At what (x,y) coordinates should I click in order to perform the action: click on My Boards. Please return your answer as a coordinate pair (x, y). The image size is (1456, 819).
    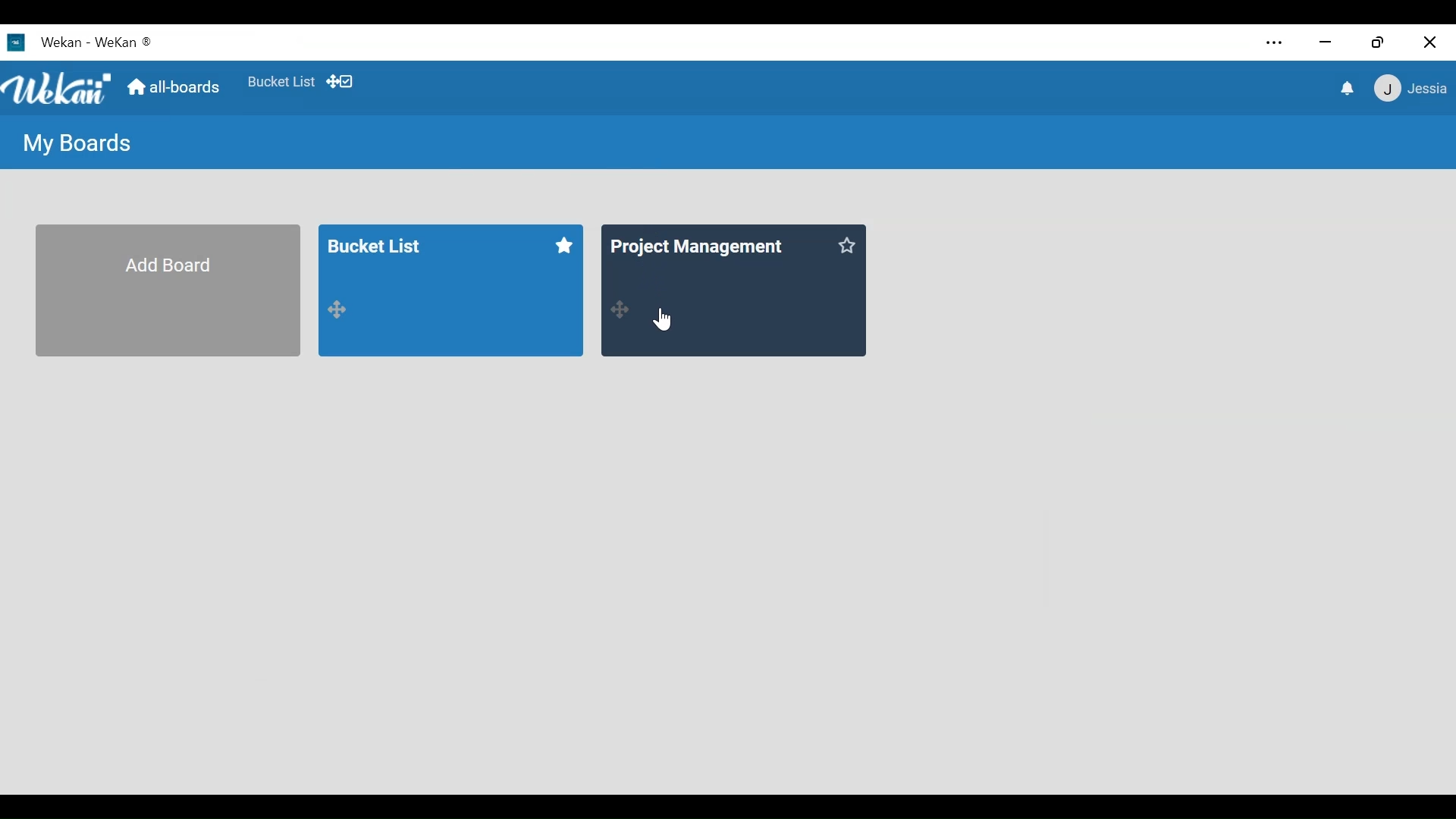
    Looking at the image, I should click on (74, 147).